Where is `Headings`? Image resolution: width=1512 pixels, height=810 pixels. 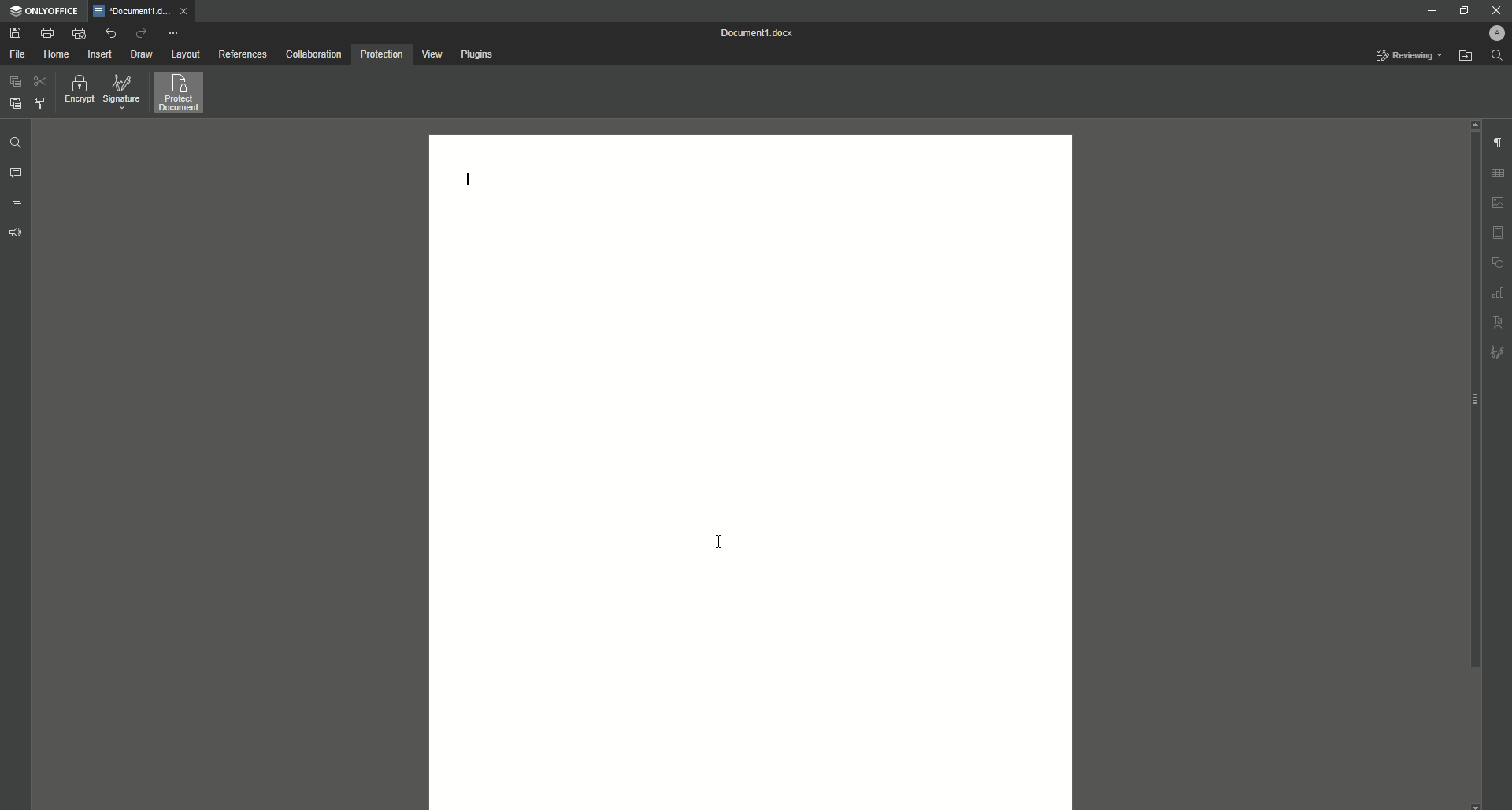 Headings is located at coordinates (17, 201).